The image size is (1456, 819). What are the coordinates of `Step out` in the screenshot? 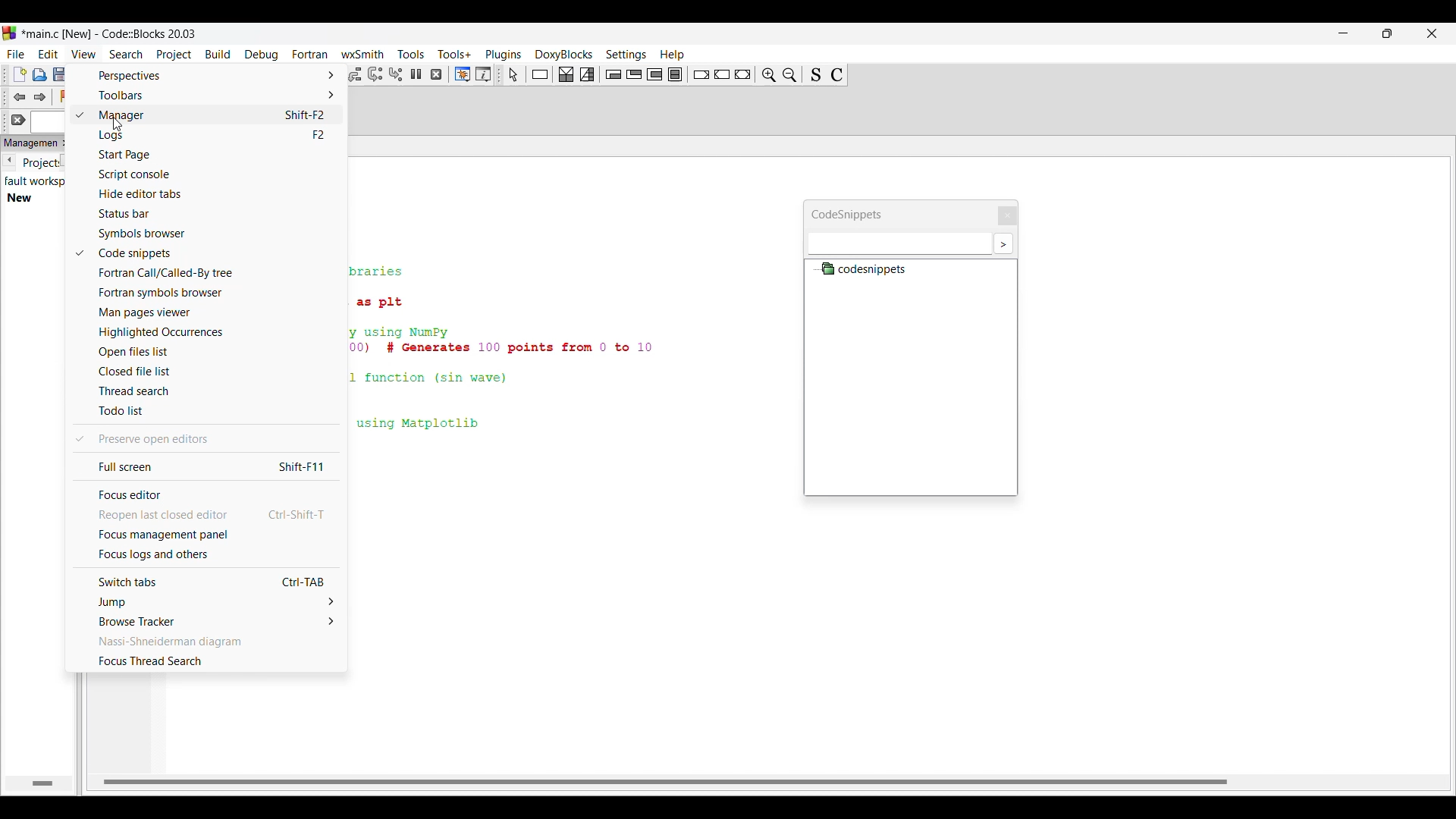 It's located at (353, 74).